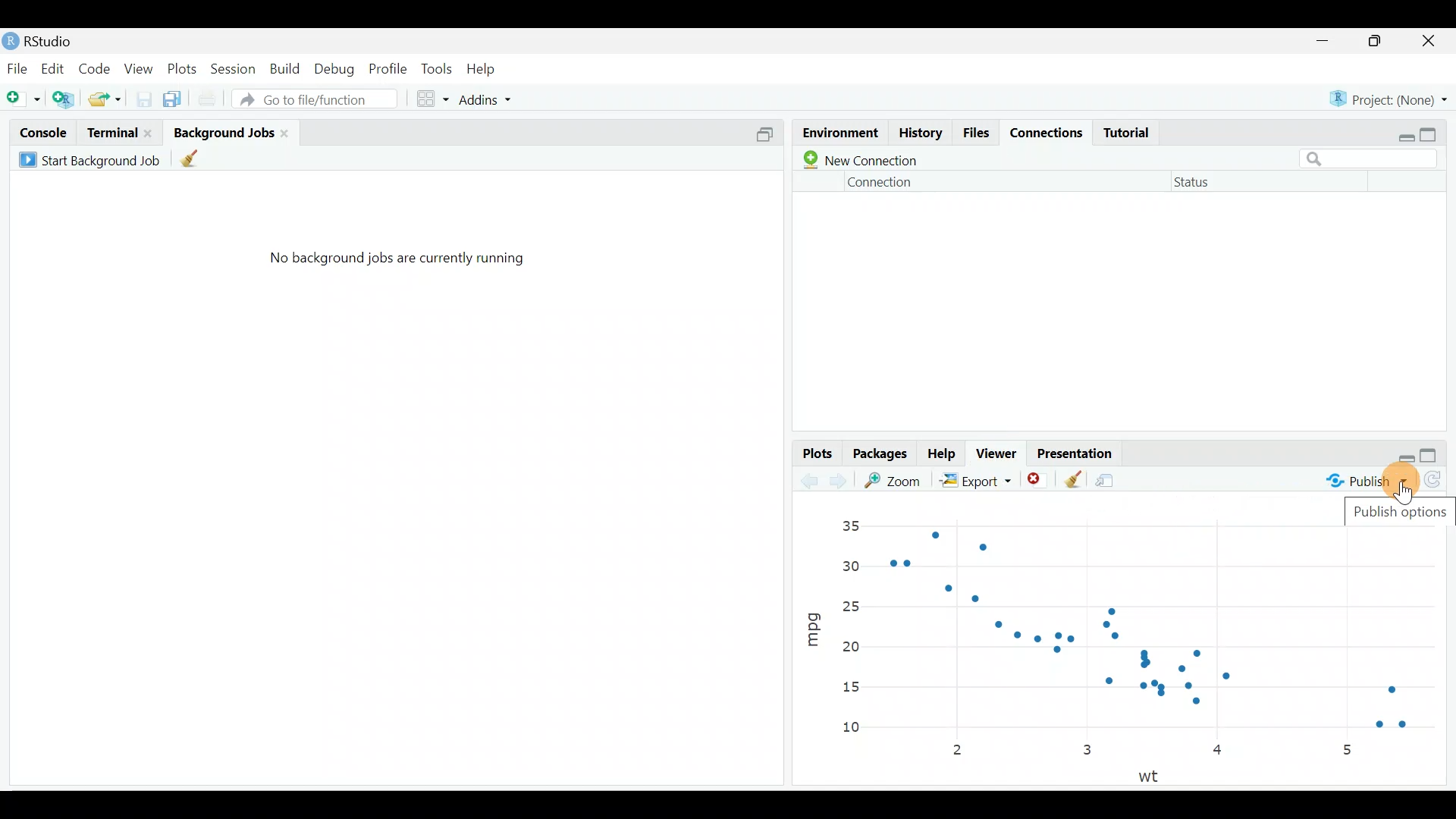 Image resolution: width=1456 pixels, height=819 pixels. I want to click on New connection, so click(857, 160).